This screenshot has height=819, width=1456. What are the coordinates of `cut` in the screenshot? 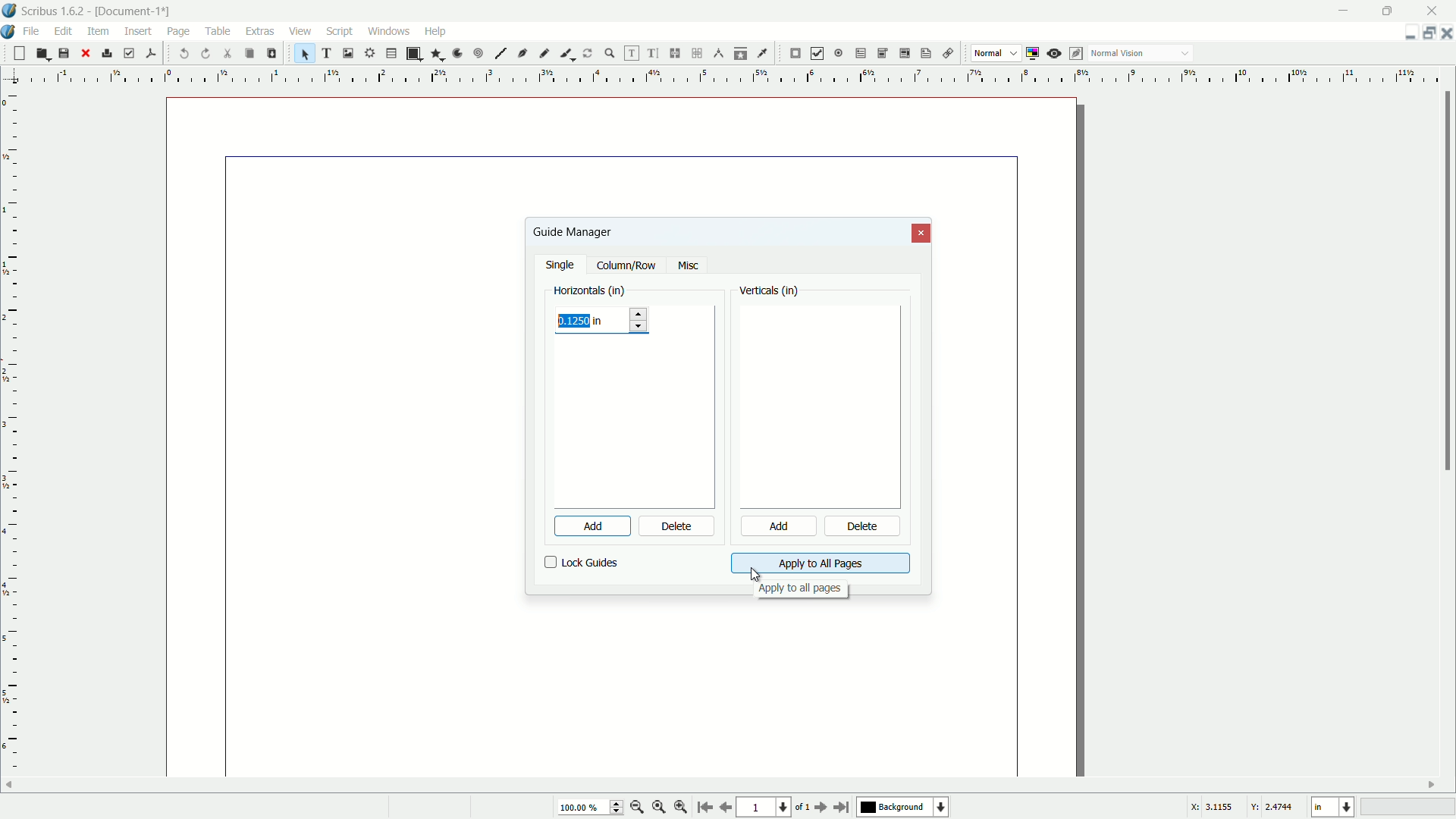 It's located at (228, 53).